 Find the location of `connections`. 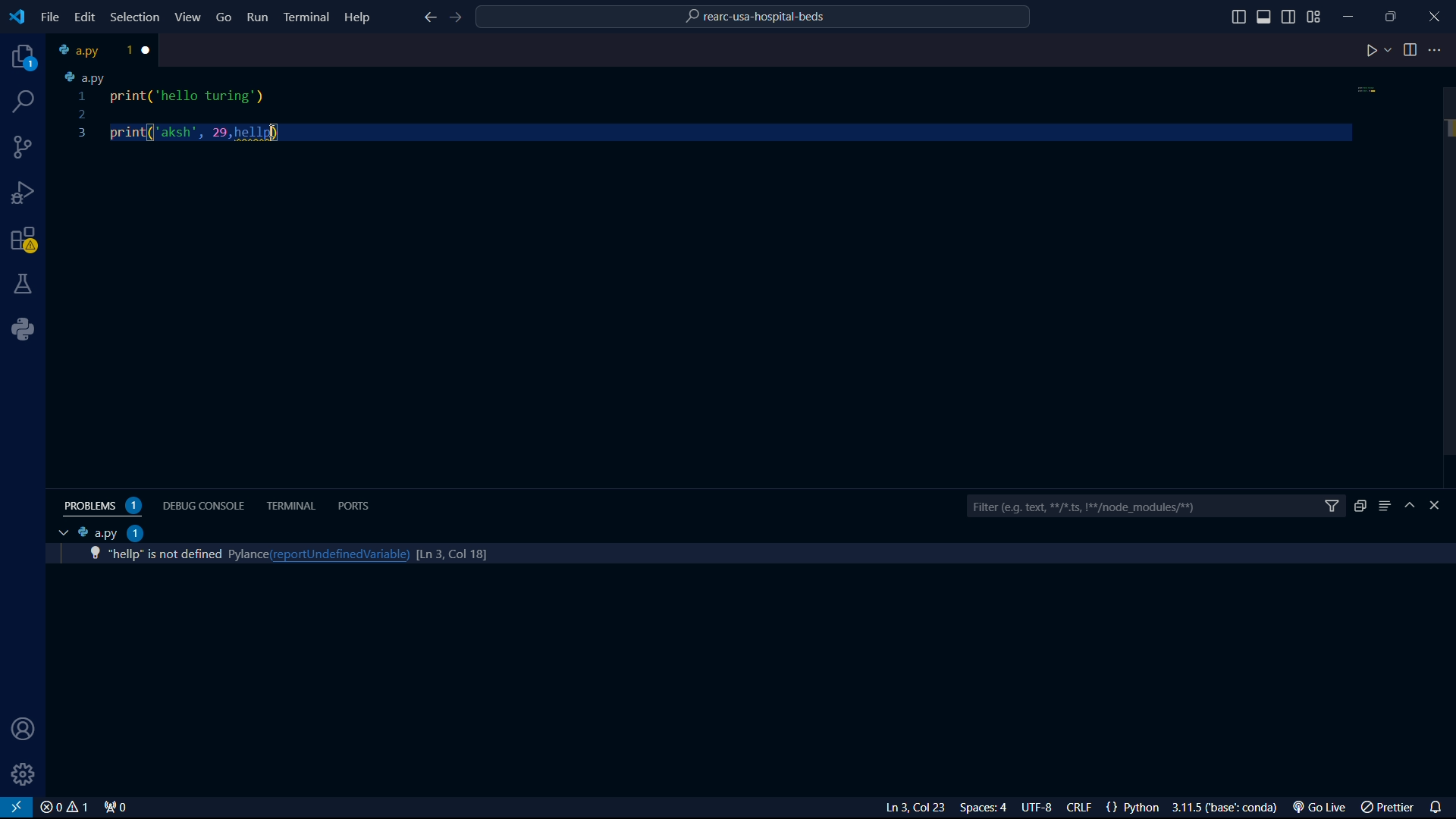

connections is located at coordinates (24, 147).